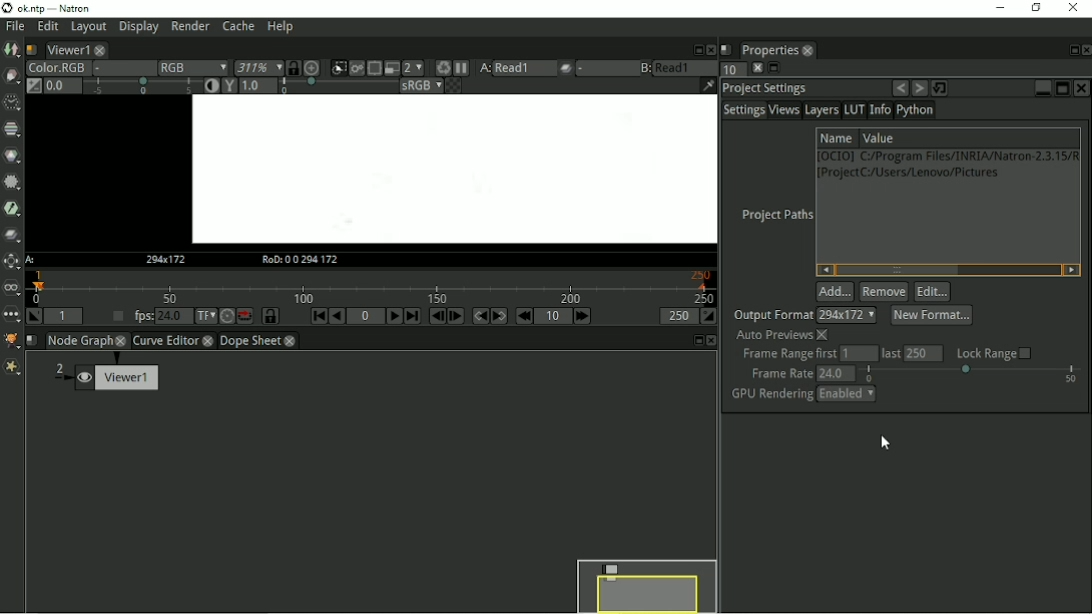 Image resolution: width=1092 pixels, height=614 pixels. Describe the element at coordinates (756, 68) in the screenshot. I see `Close` at that location.